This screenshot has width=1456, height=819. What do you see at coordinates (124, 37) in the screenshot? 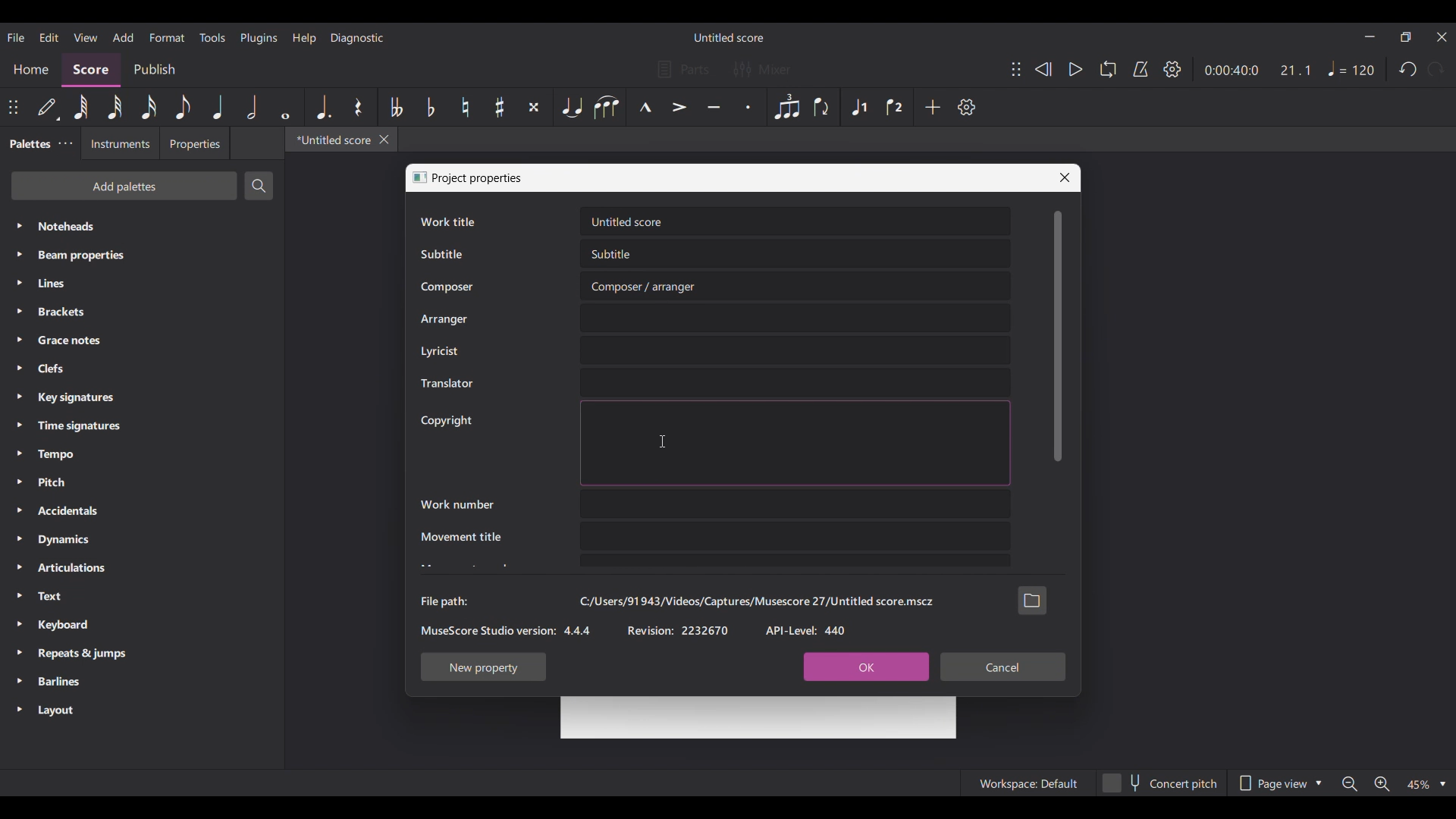
I see `Add menu` at bounding box center [124, 37].